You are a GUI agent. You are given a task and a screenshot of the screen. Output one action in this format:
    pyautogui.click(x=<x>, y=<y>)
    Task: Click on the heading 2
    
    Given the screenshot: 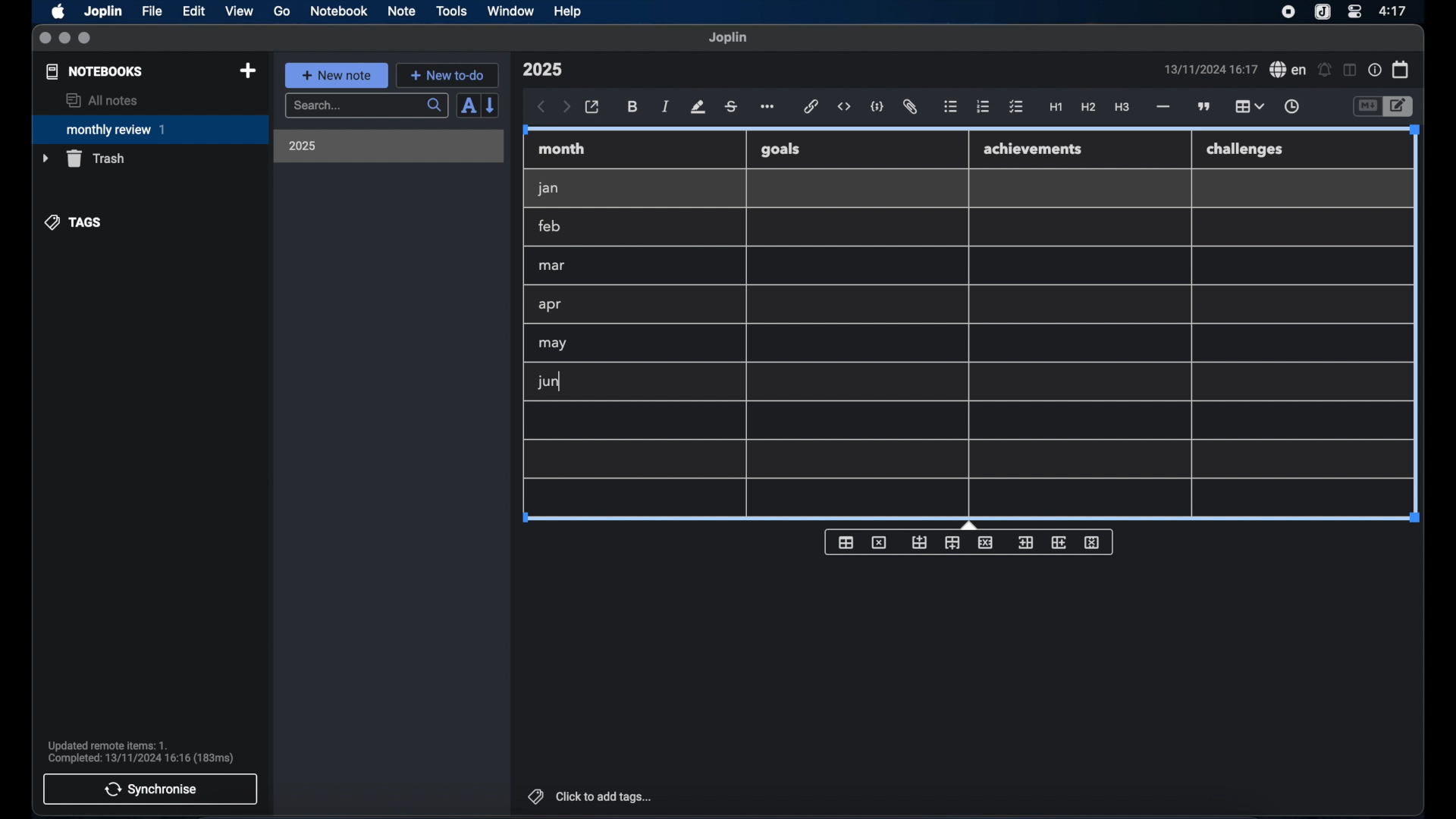 What is the action you would take?
    pyautogui.click(x=1089, y=108)
    